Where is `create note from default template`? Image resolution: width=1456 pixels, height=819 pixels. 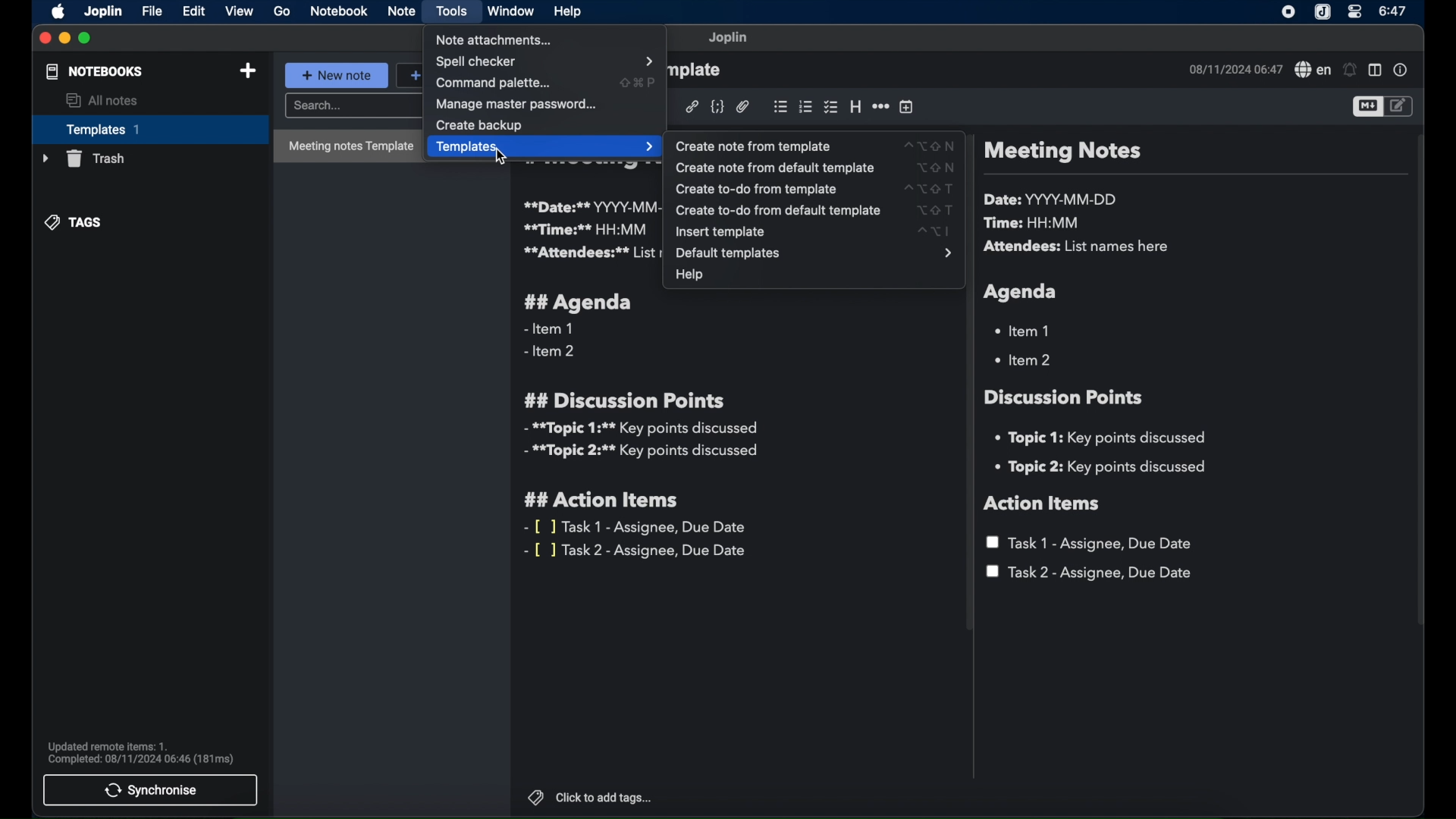 create note from default template is located at coordinates (816, 167).